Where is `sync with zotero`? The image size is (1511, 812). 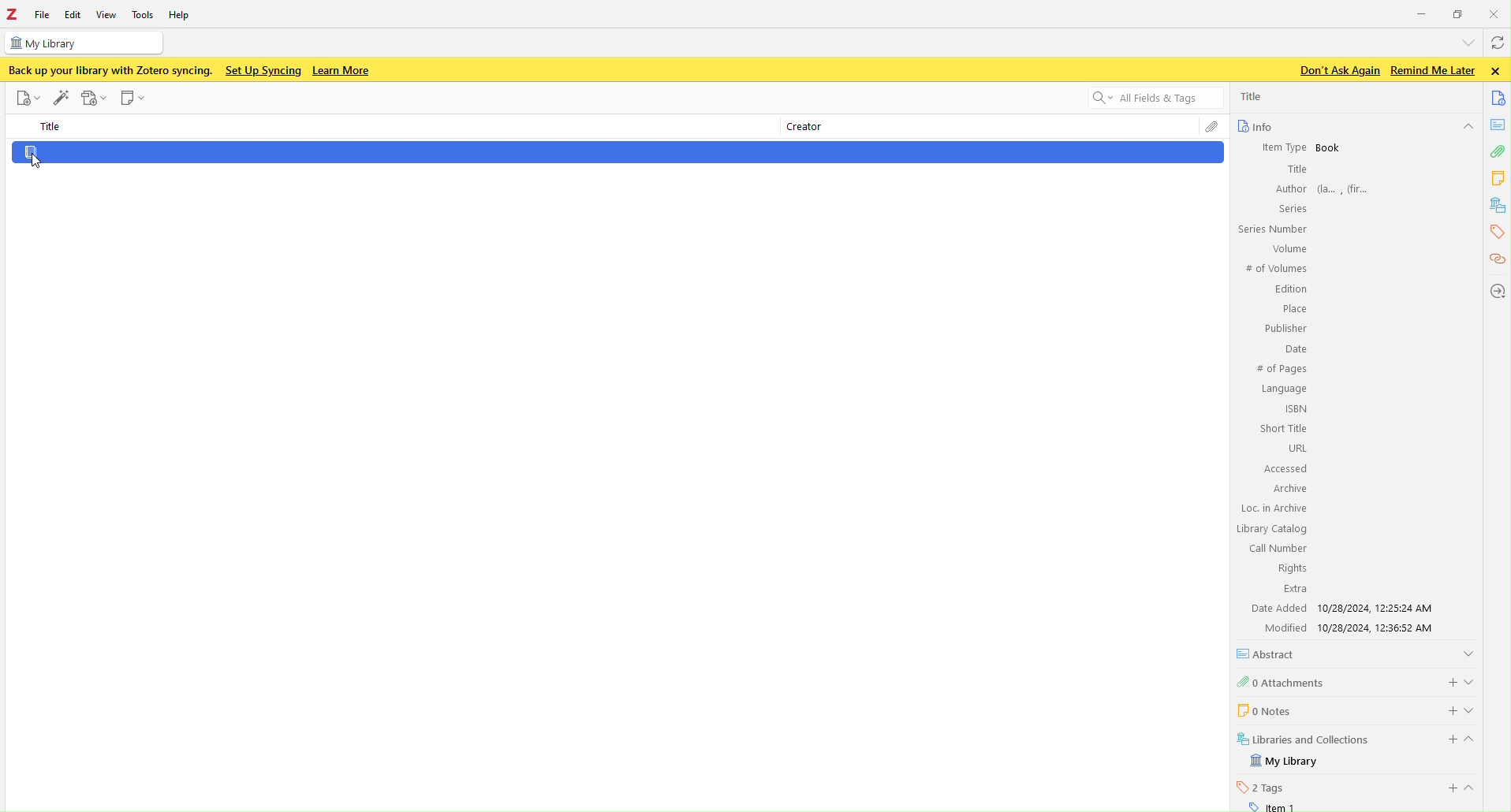
sync with zotero is located at coordinates (1493, 45).